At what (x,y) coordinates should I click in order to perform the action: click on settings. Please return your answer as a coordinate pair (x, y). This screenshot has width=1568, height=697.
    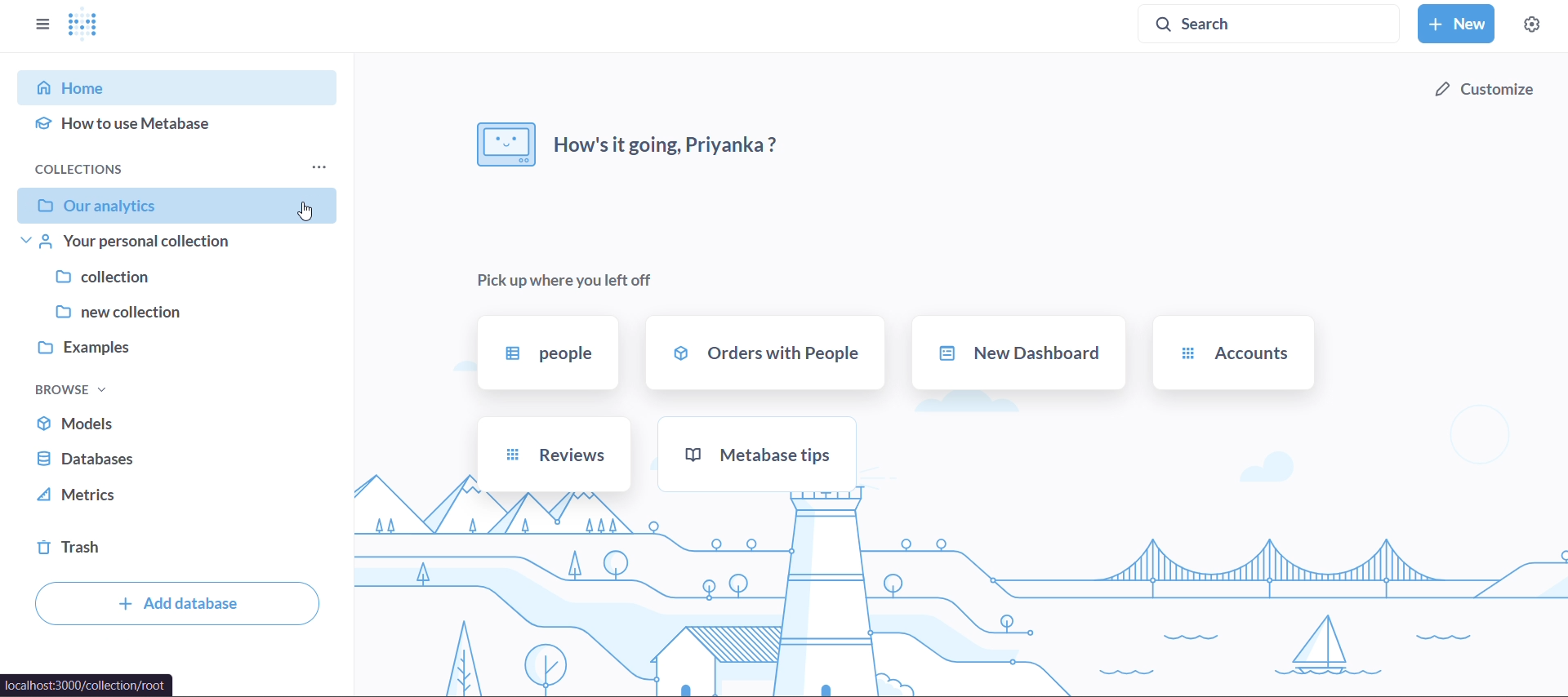
    Looking at the image, I should click on (1532, 21).